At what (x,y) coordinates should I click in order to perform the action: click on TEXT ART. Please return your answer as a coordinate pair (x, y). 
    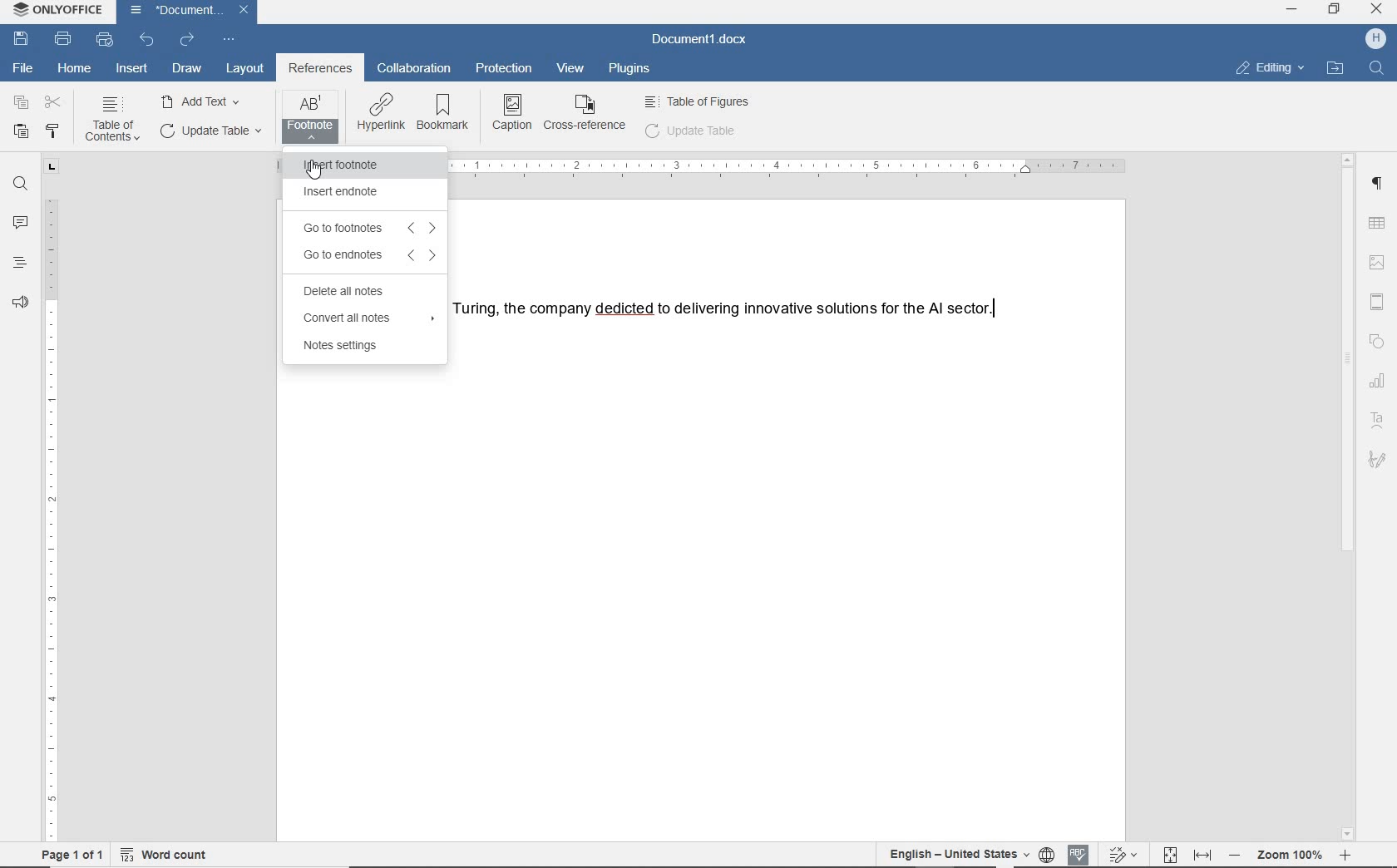
    Looking at the image, I should click on (1379, 421).